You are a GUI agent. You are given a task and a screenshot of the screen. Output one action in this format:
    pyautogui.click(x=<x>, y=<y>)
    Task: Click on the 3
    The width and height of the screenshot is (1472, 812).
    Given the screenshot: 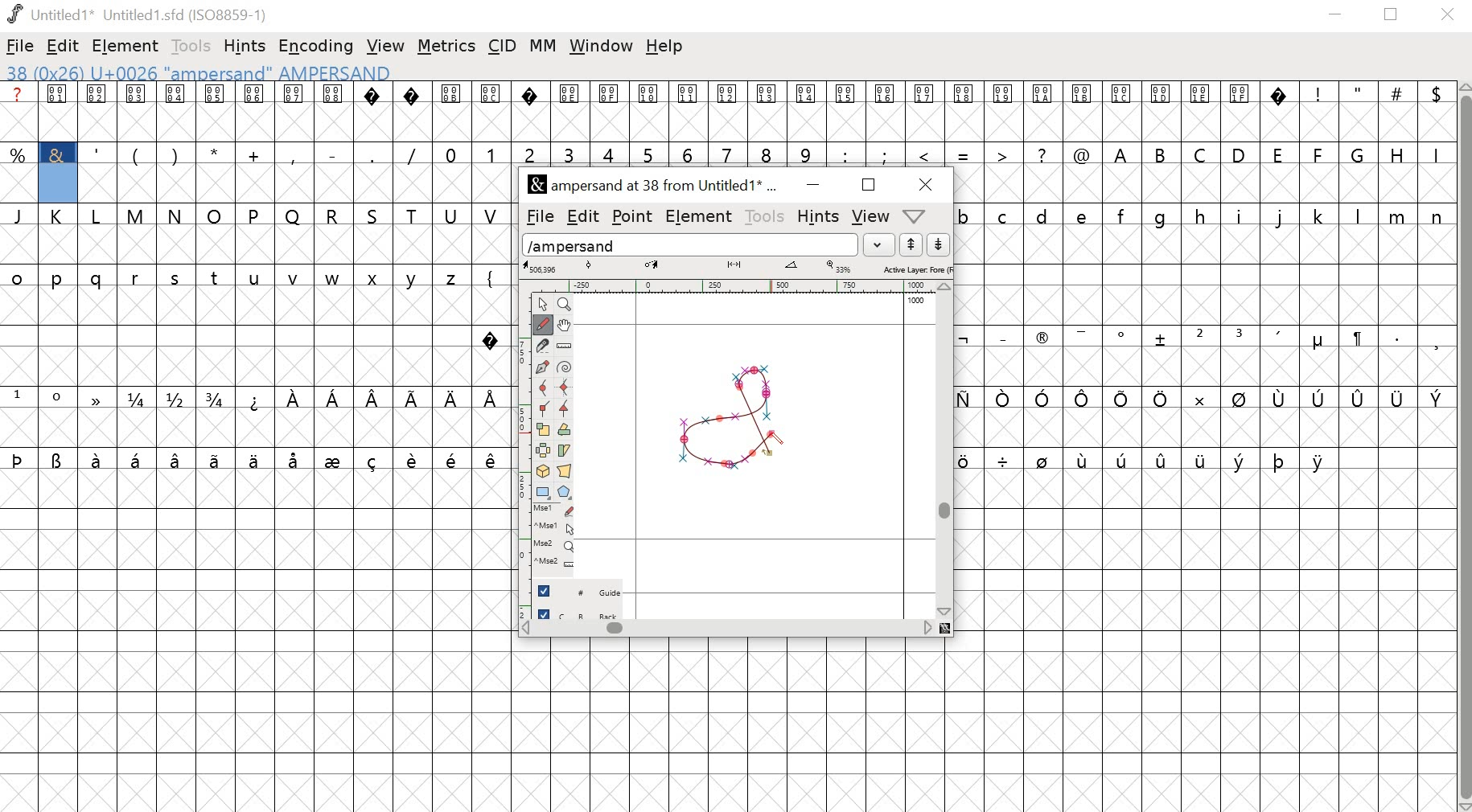 What is the action you would take?
    pyautogui.click(x=1241, y=336)
    